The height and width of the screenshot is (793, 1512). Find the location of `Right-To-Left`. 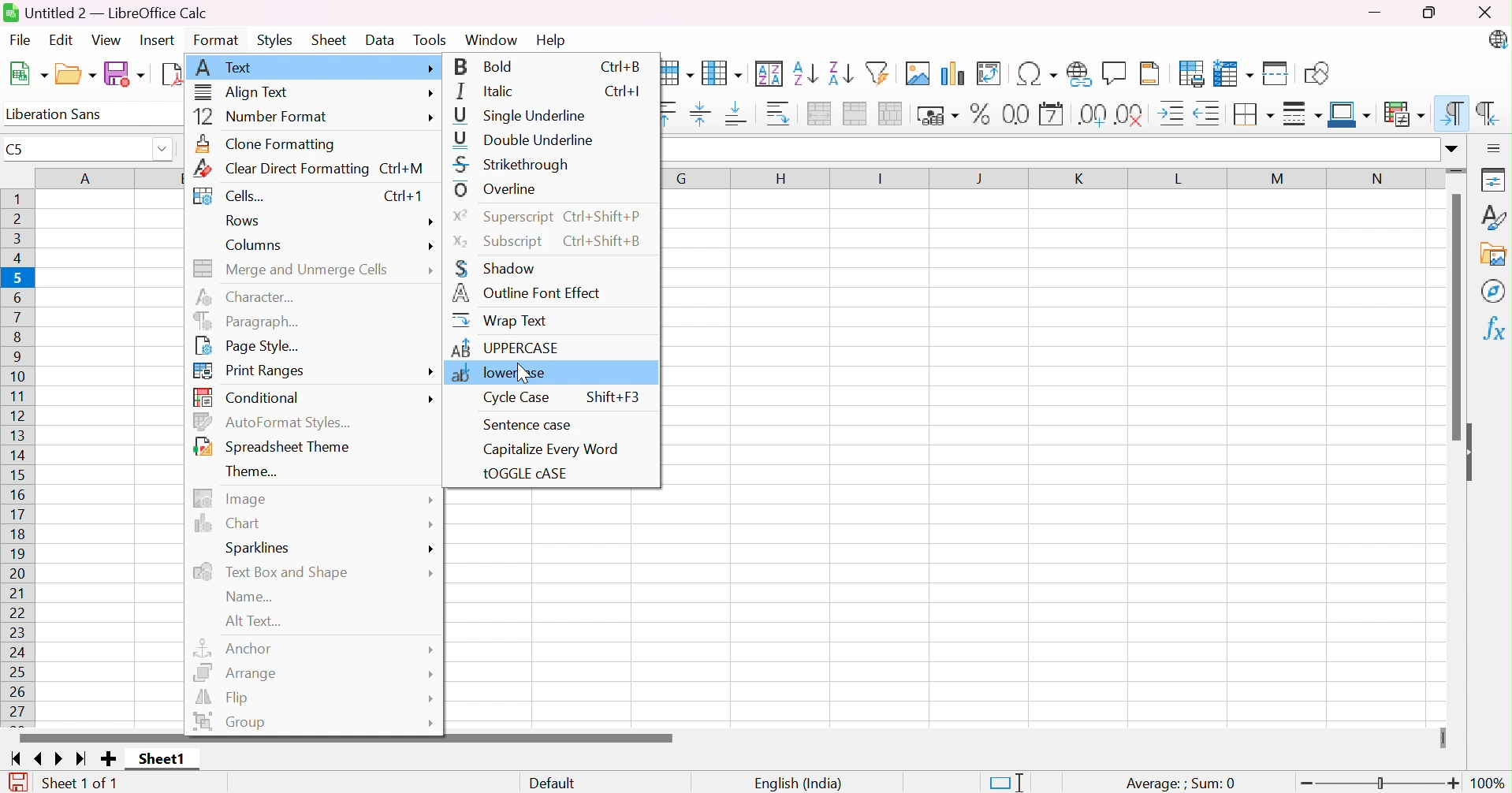

Right-To-Left is located at coordinates (1490, 115).